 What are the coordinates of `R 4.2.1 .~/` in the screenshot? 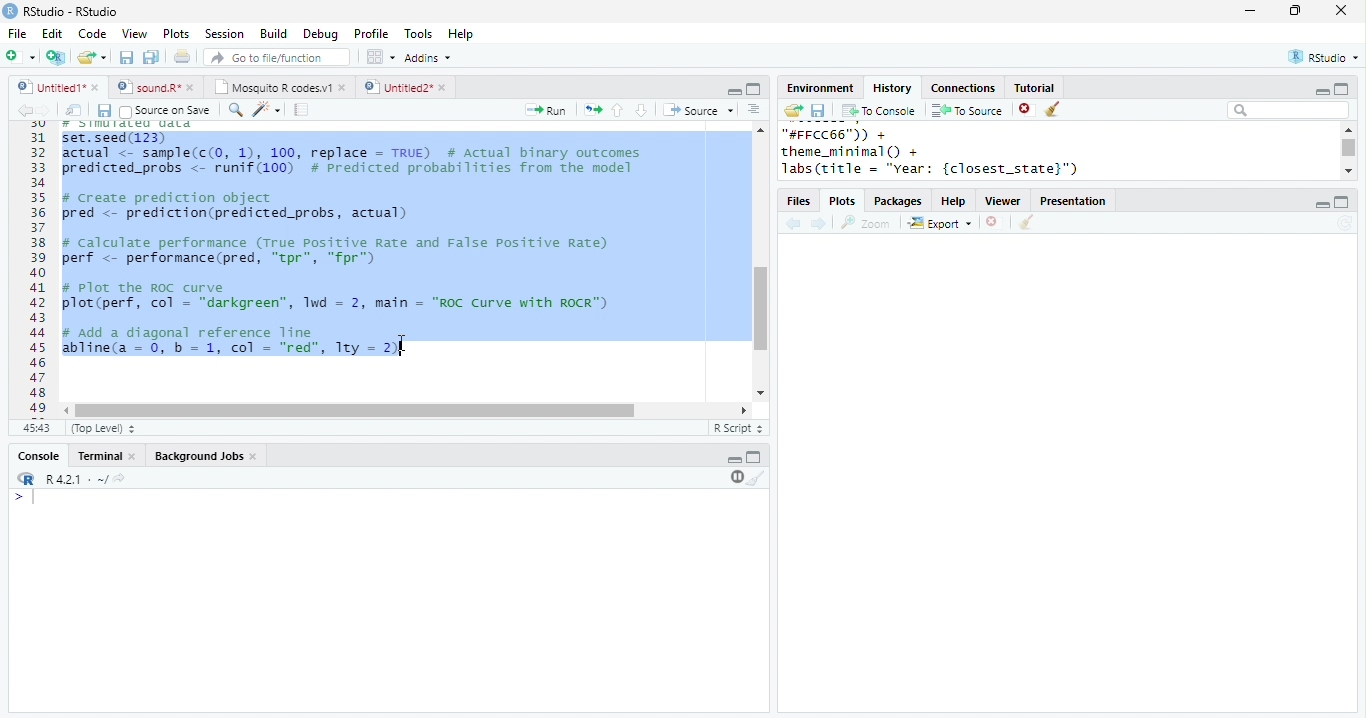 It's located at (73, 480).